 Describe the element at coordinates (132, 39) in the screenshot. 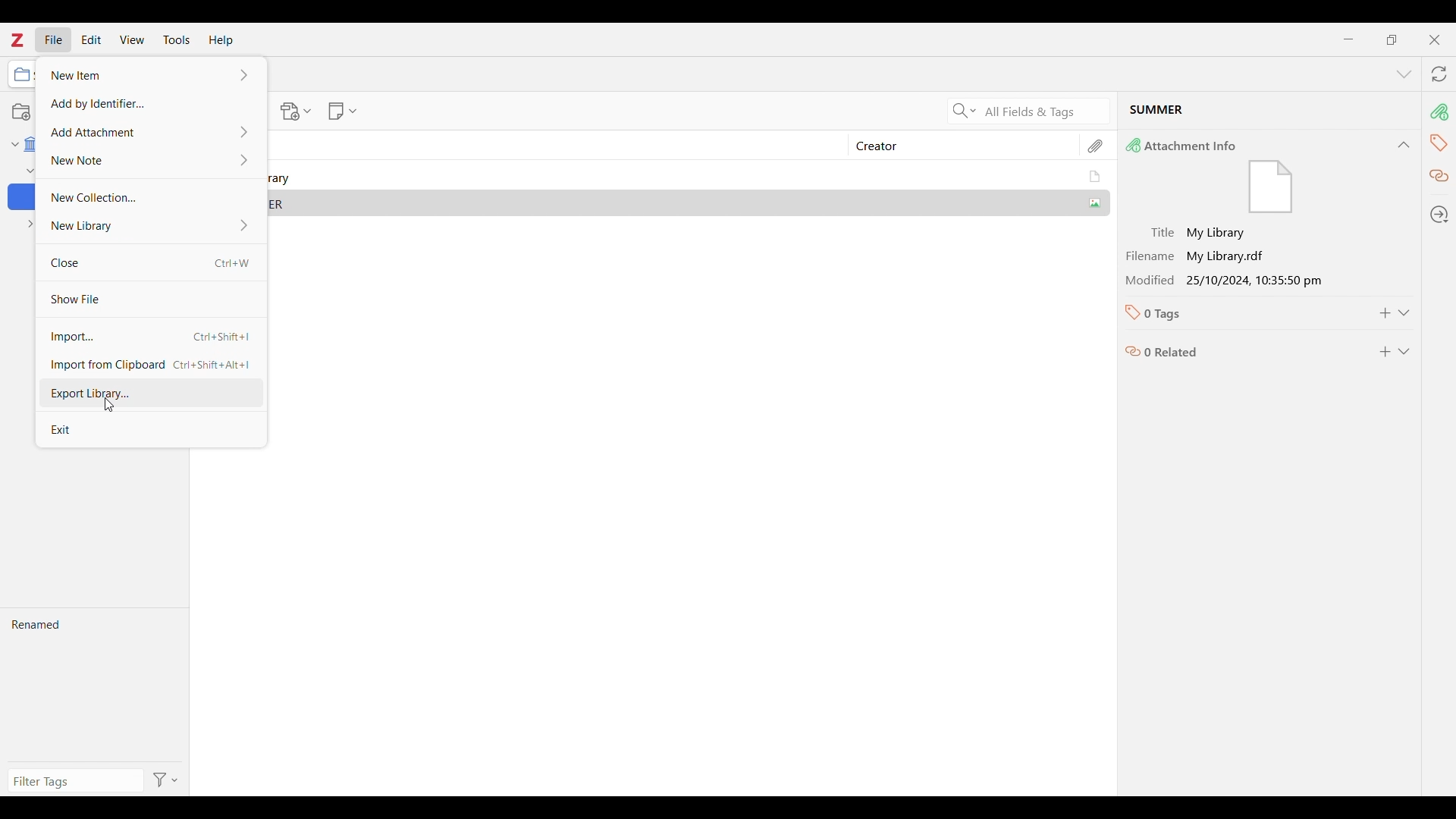

I see `View menu` at that location.